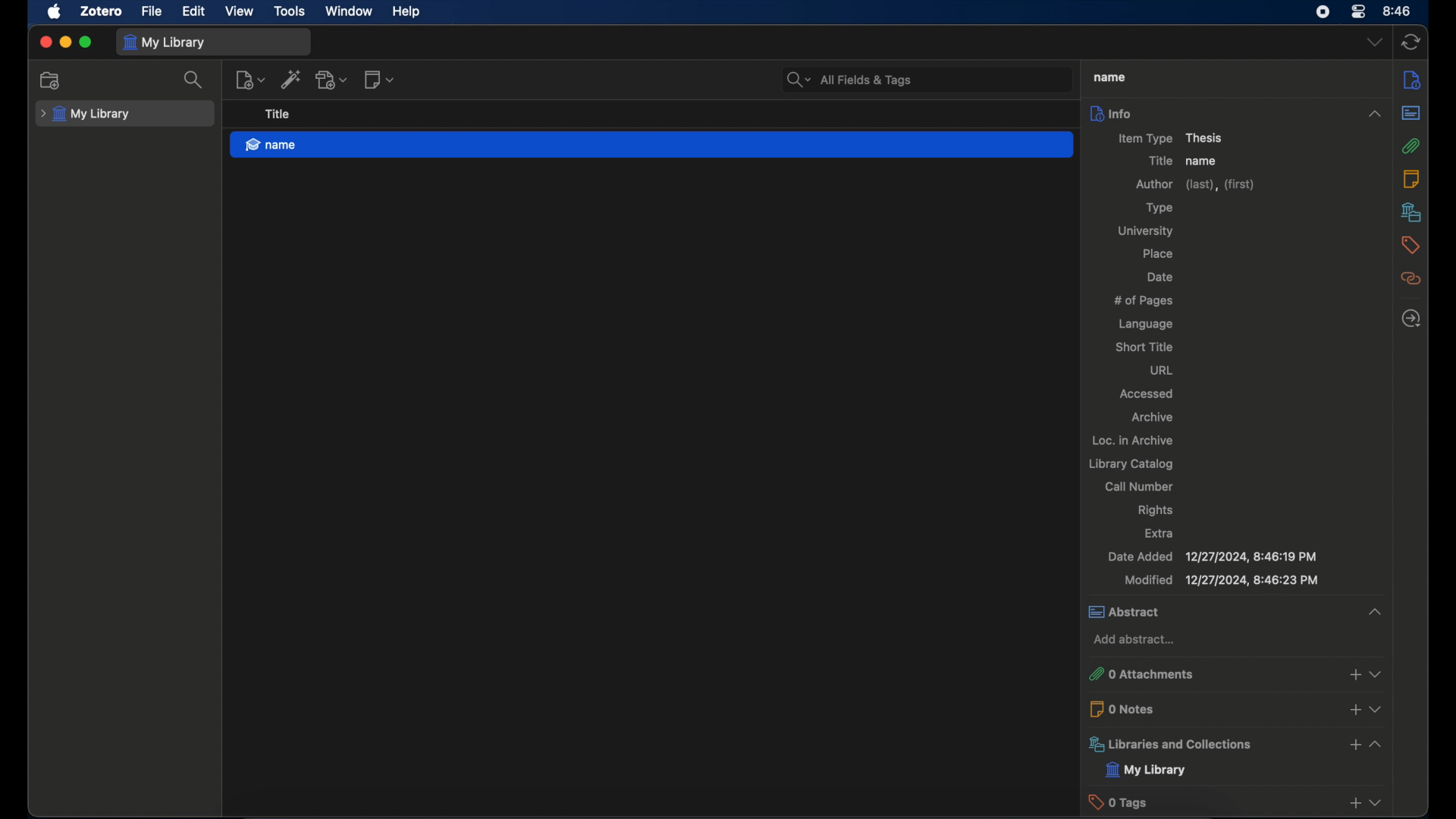 The width and height of the screenshot is (1456, 819). What do you see at coordinates (250, 80) in the screenshot?
I see `new item` at bounding box center [250, 80].